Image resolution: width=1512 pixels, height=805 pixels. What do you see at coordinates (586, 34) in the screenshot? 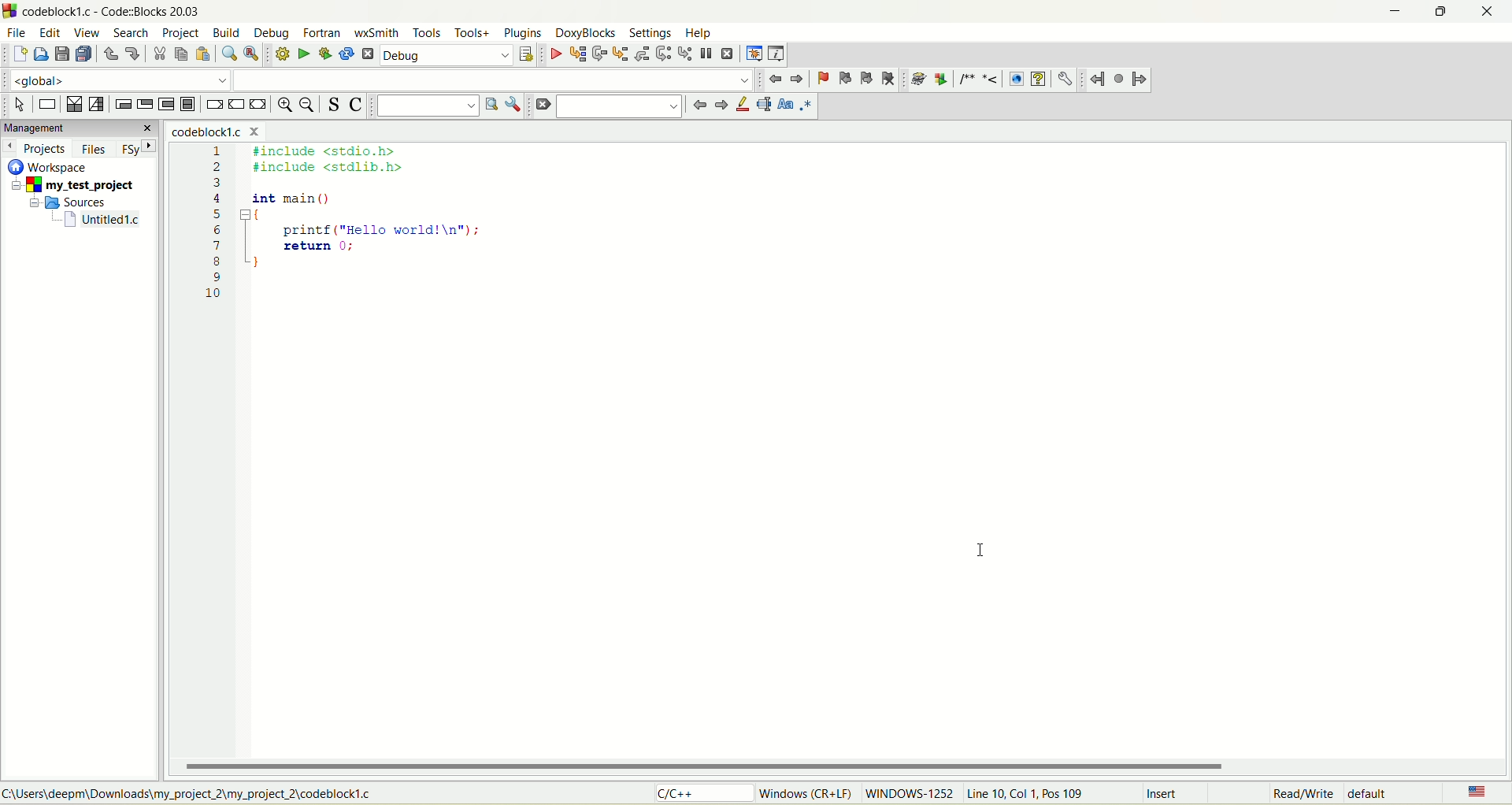
I see `doxyblocks` at bounding box center [586, 34].